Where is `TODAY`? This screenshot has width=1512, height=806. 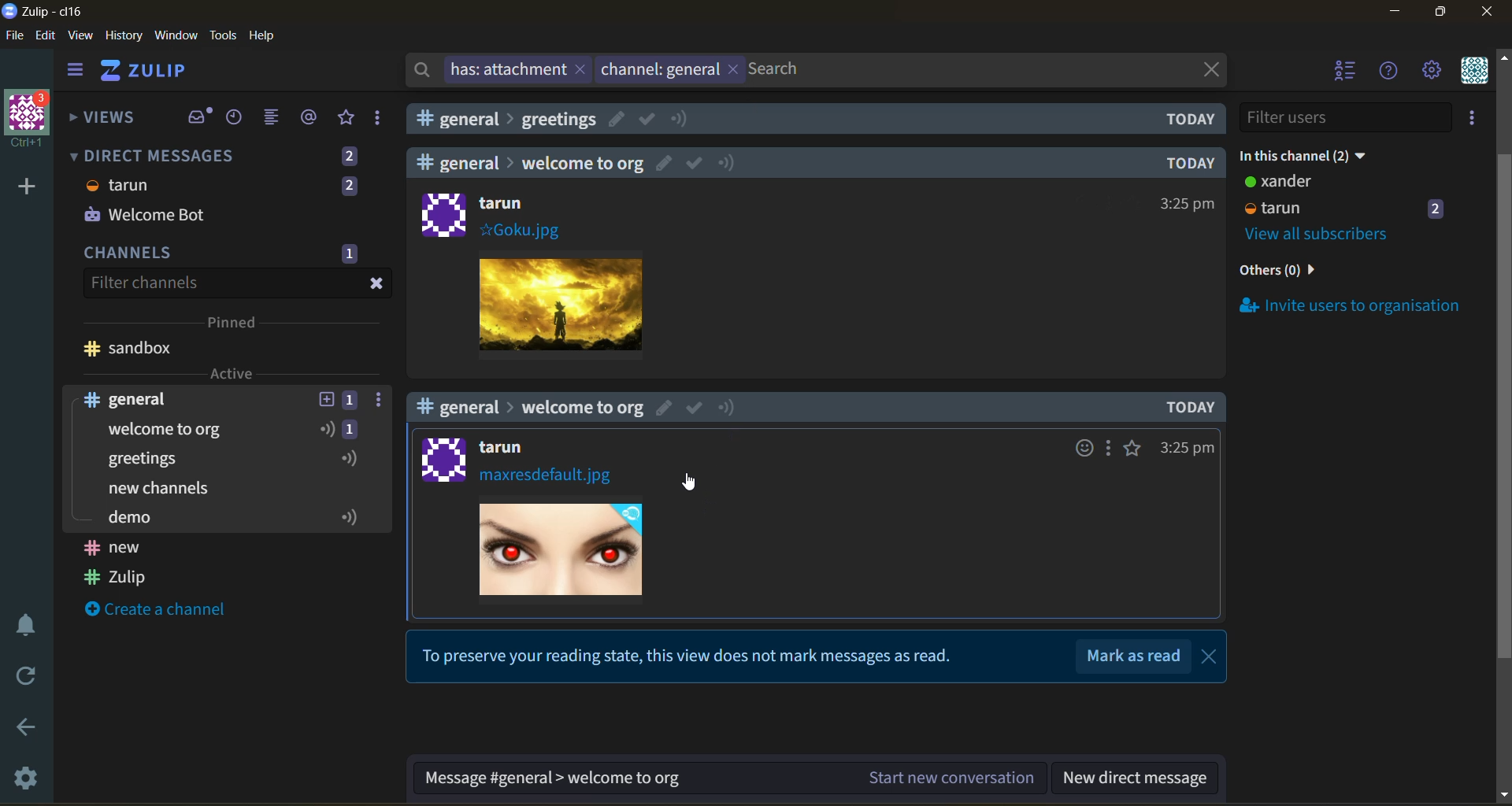 TODAY is located at coordinates (1194, 405).